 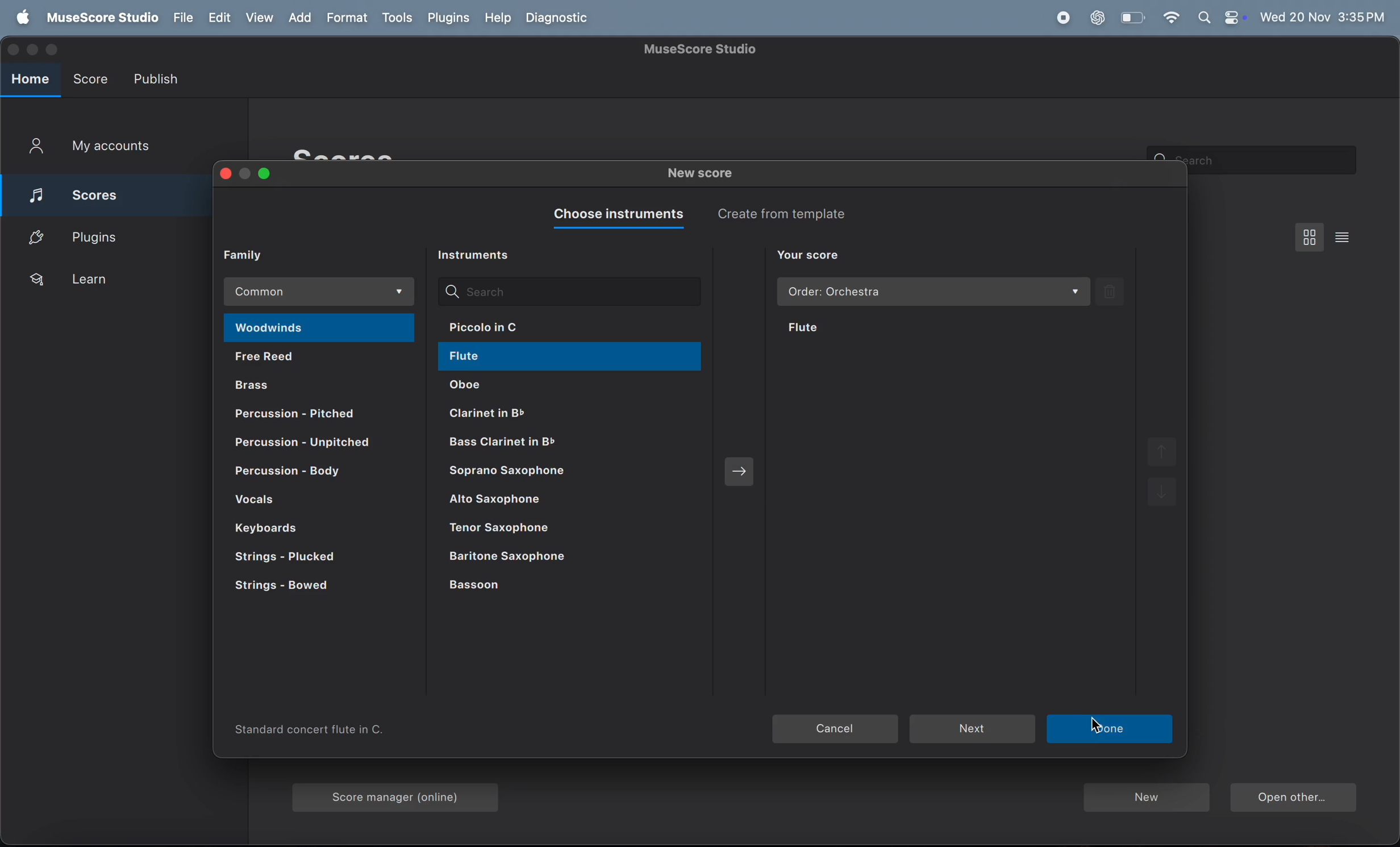 I want to click on My account, so click(x=90, y=148).